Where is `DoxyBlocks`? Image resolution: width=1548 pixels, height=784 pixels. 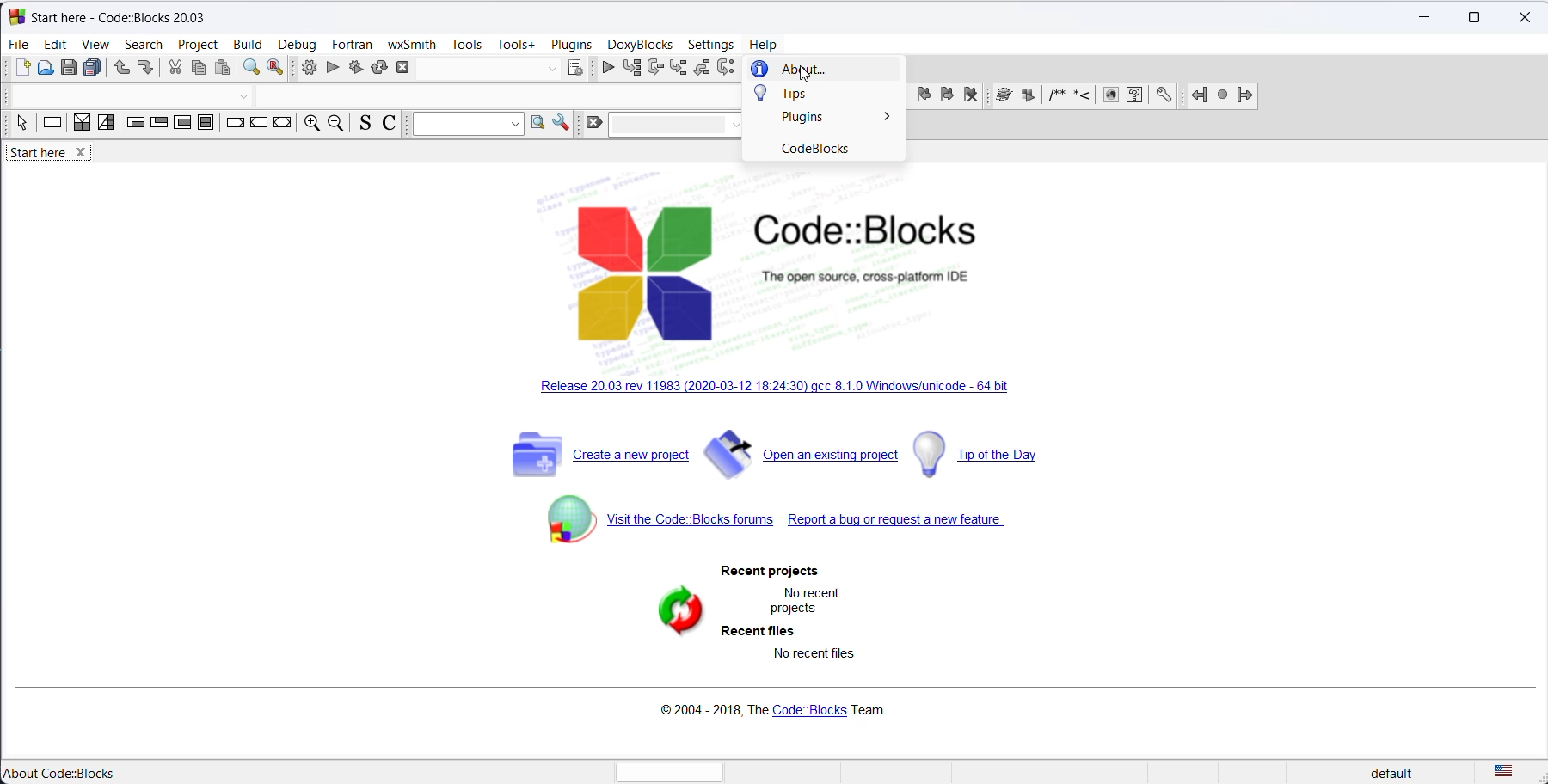
DoxyBlocks is located at coordinates (638, 44).